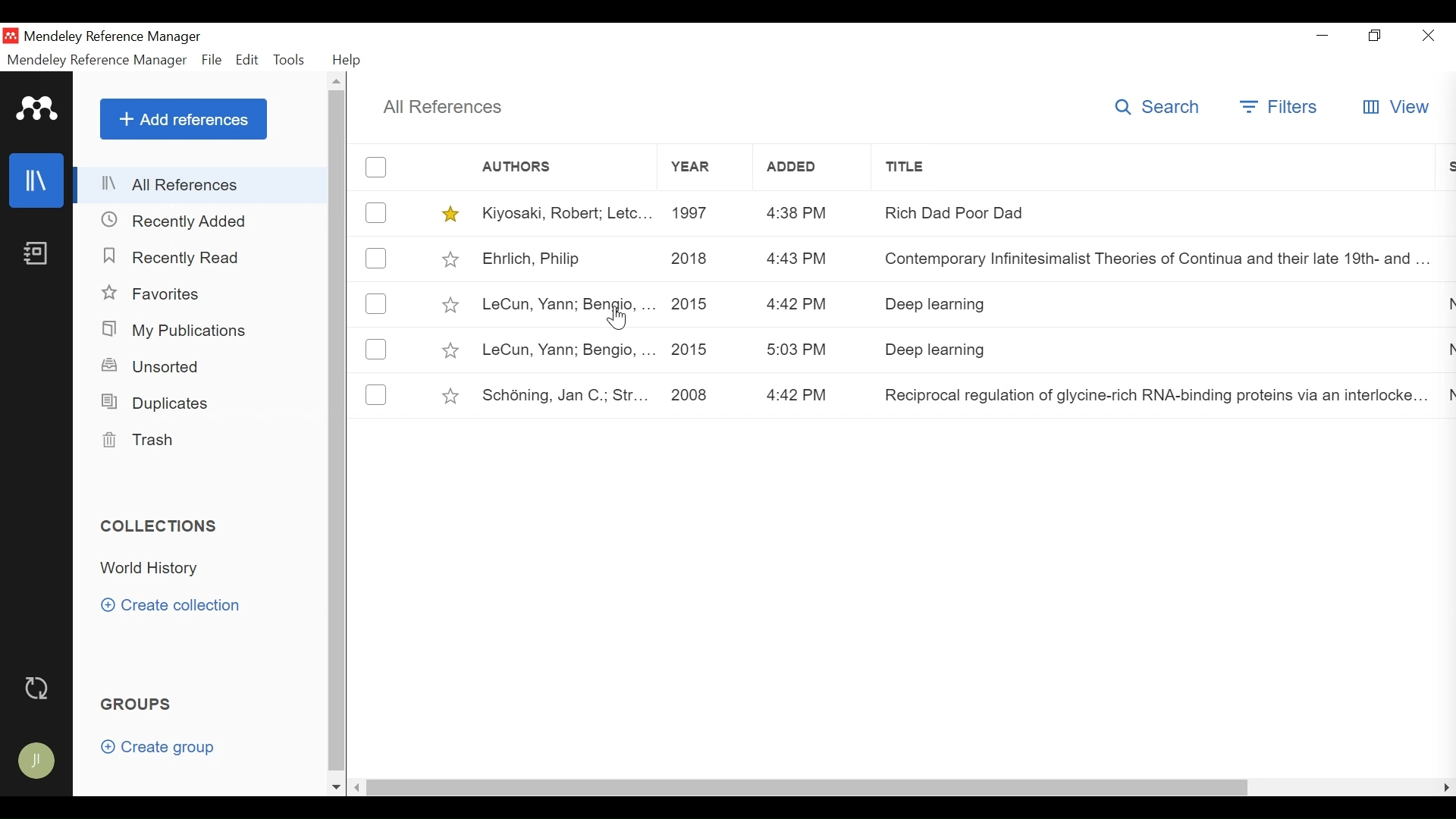 Image resolution: width=1456 pixels, height=819 pixels. What do you see at coordinates (375, 258) in the screenshot?
I see `(un)select` at bounding box center [375, 258].